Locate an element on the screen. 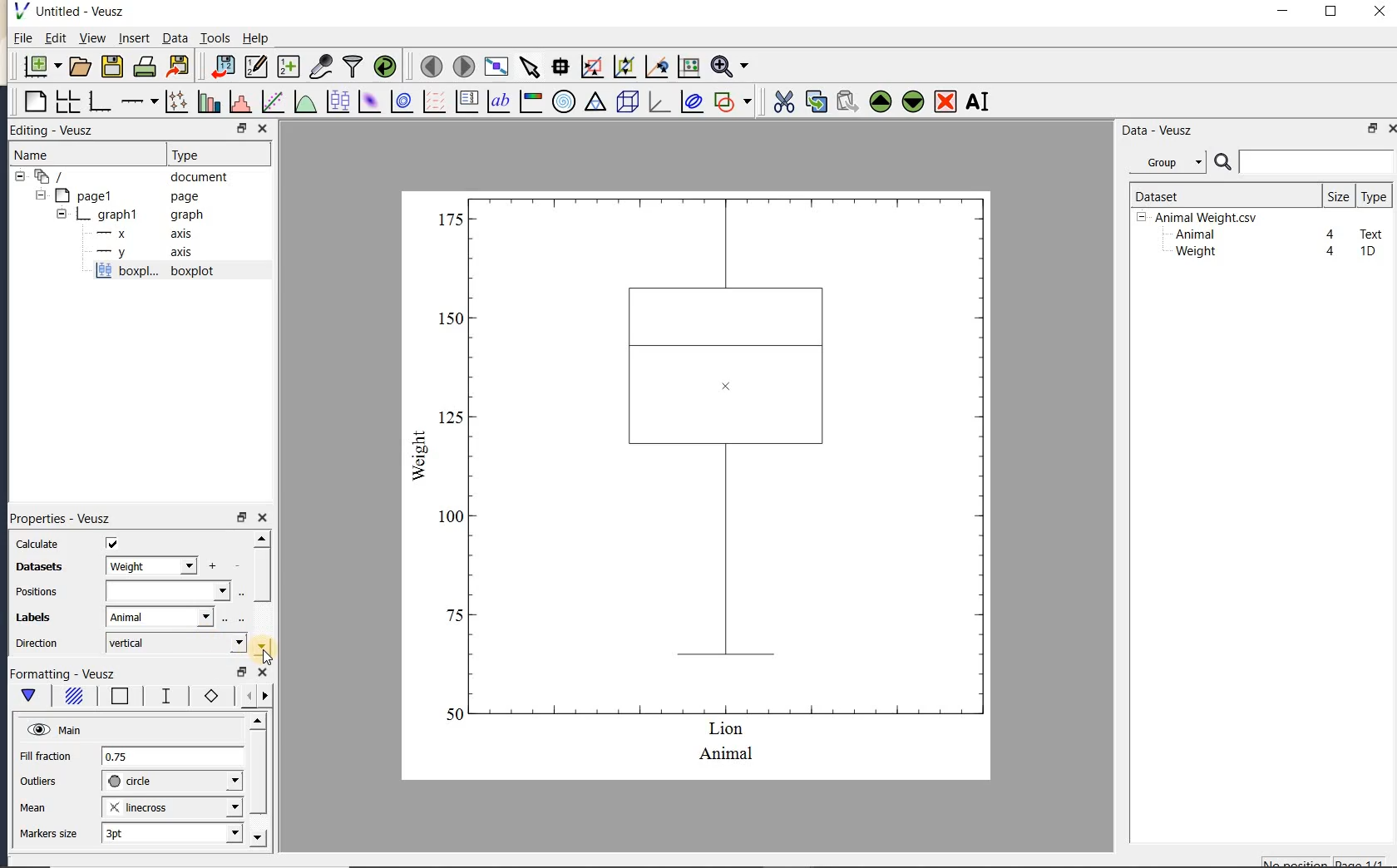  open a document is located at coordinates (78, 67).